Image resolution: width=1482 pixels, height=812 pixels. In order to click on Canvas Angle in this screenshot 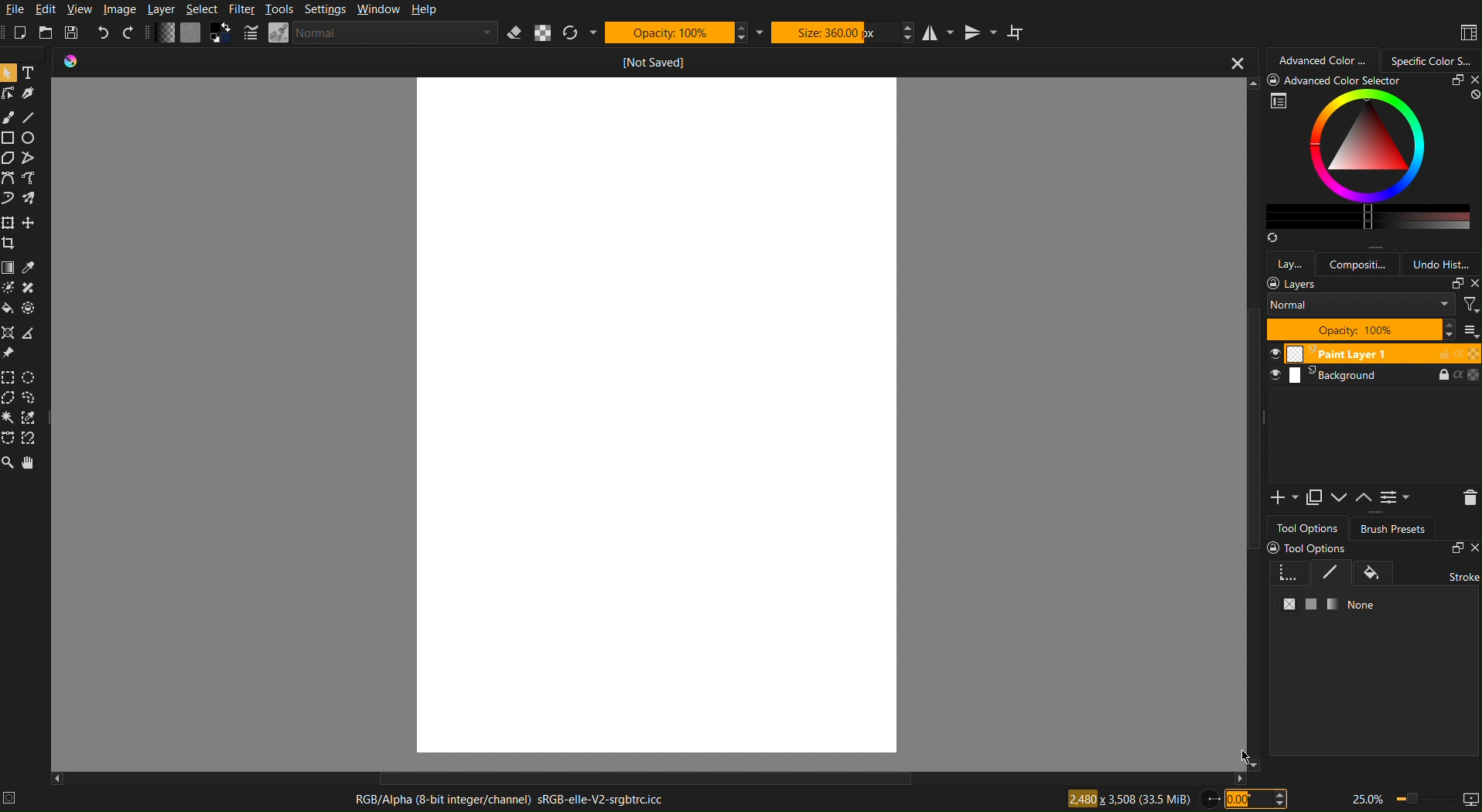, I will do `click(1255, 801)`.